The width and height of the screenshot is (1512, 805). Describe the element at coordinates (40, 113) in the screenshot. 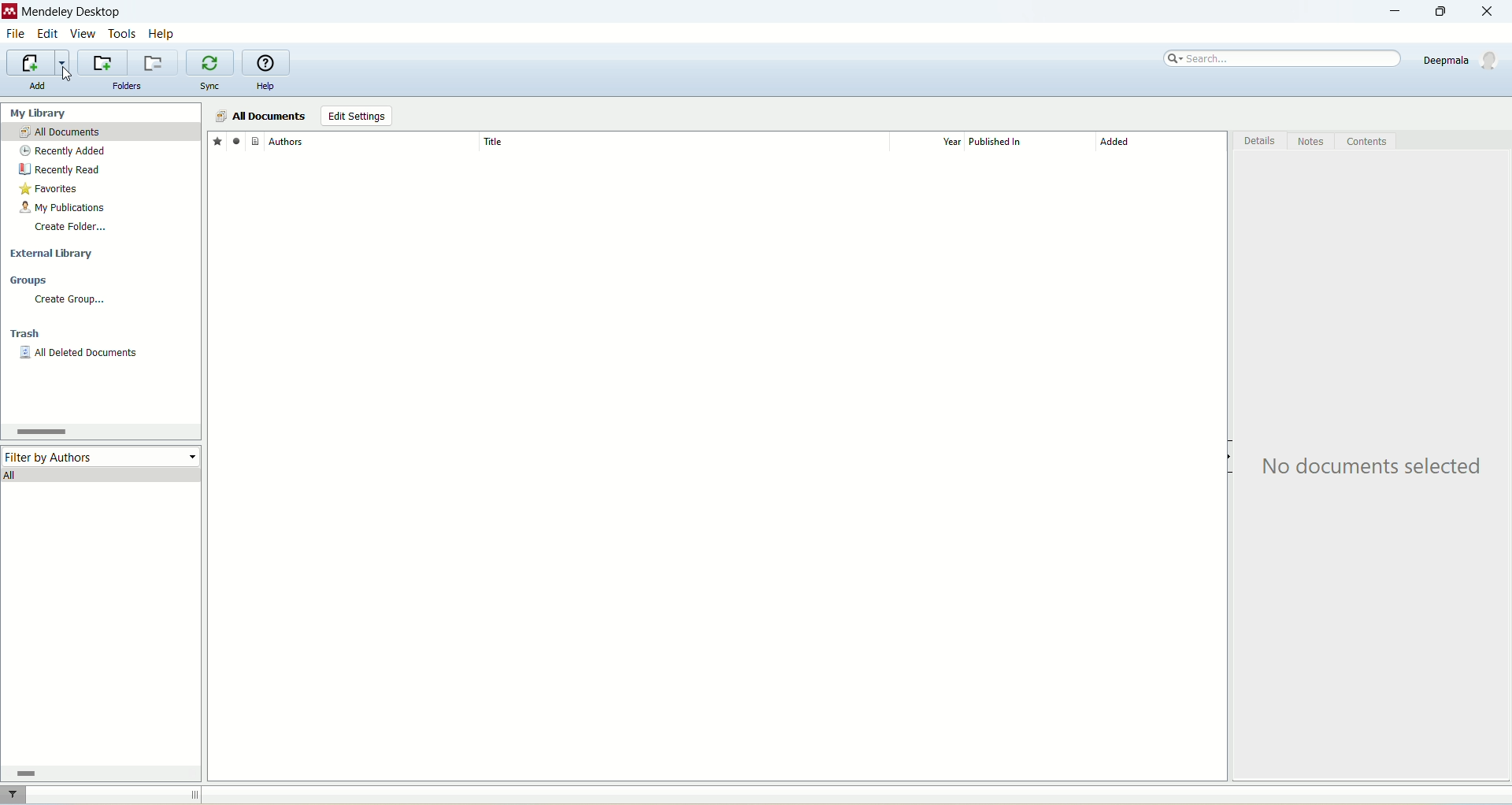

I see `my library` at that location.